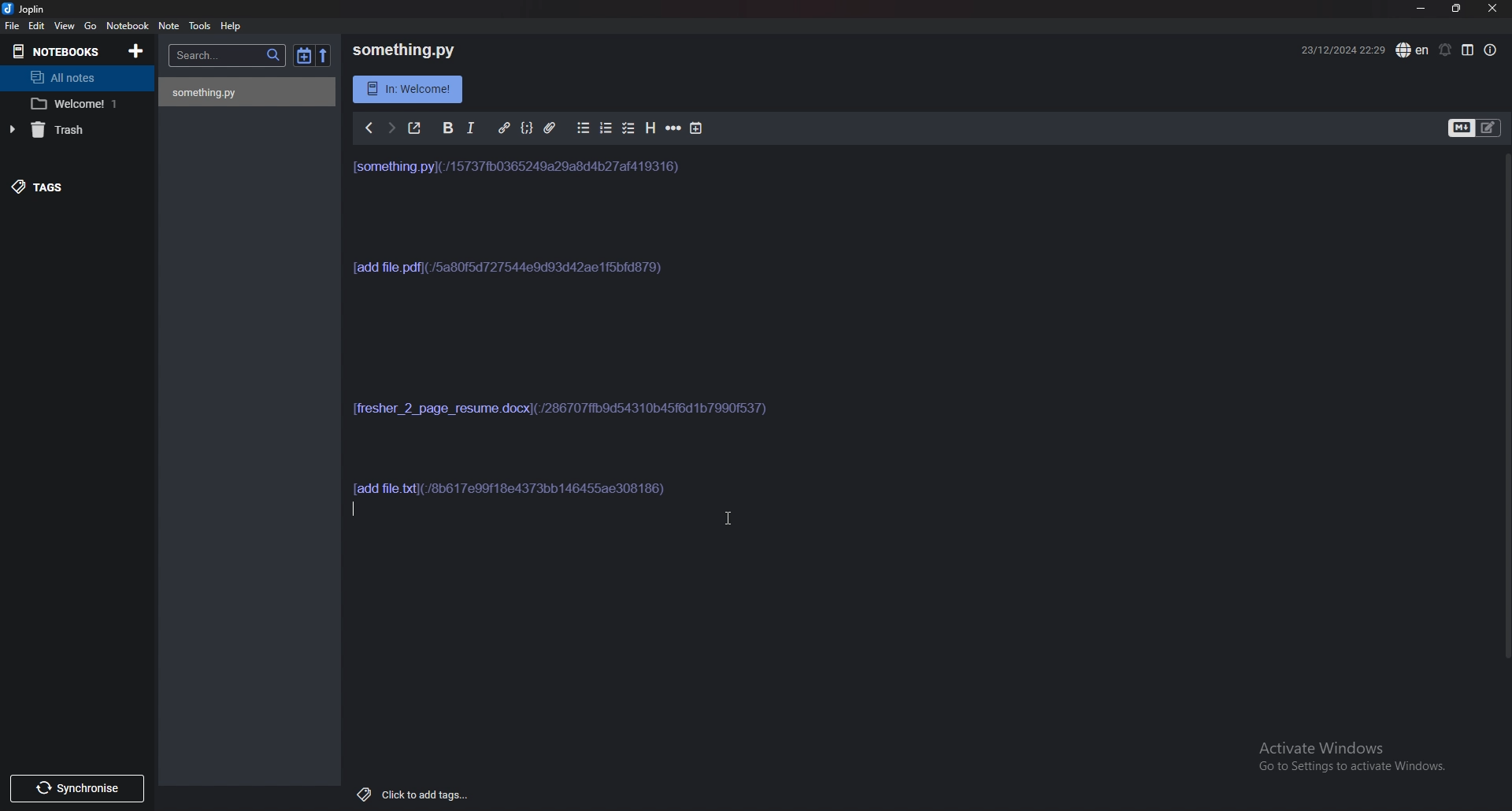 The image size is (1512, 811). I want to click on File, so click(11, 25).